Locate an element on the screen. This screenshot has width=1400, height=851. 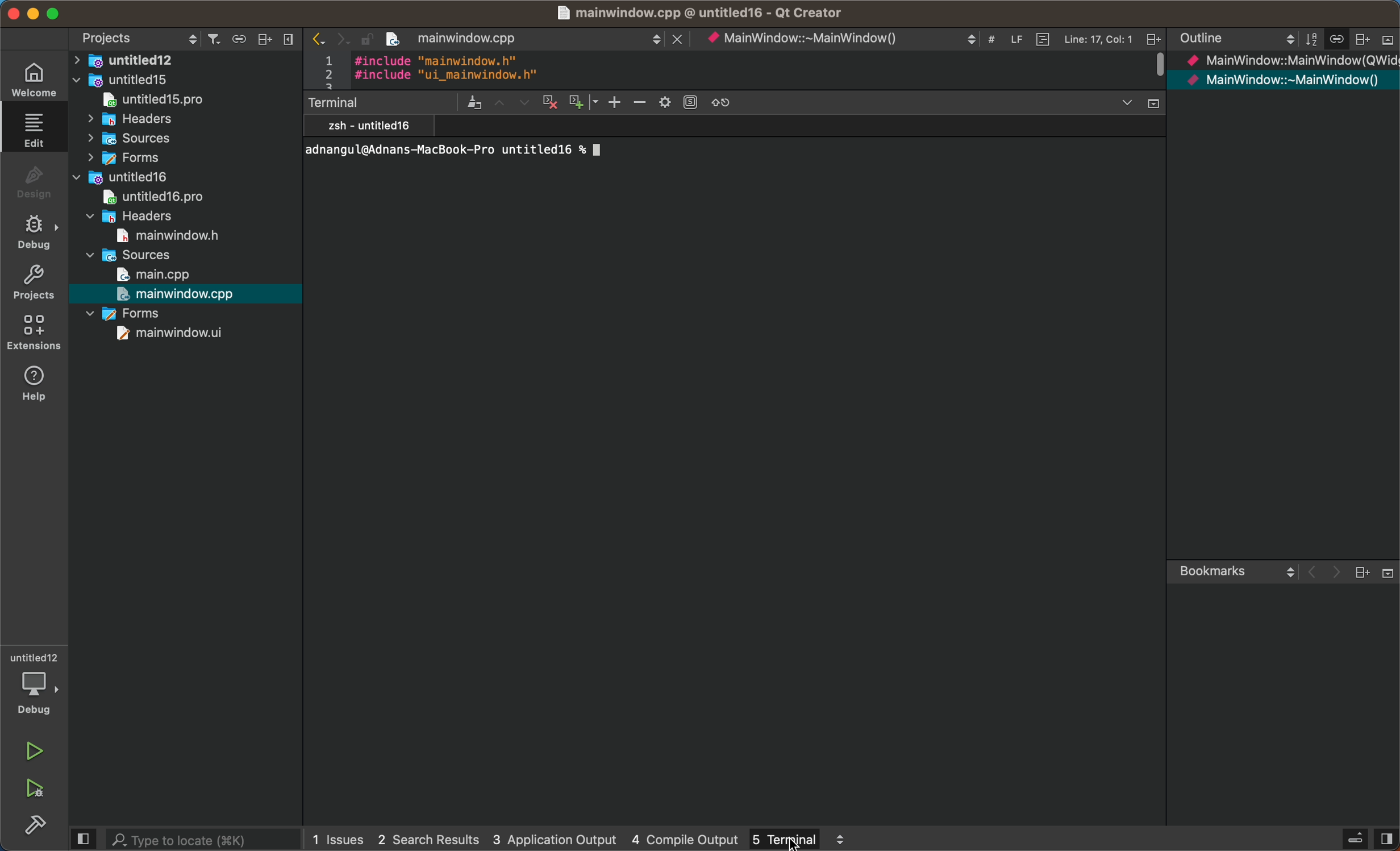
filter is located at coordinates (212, 39).